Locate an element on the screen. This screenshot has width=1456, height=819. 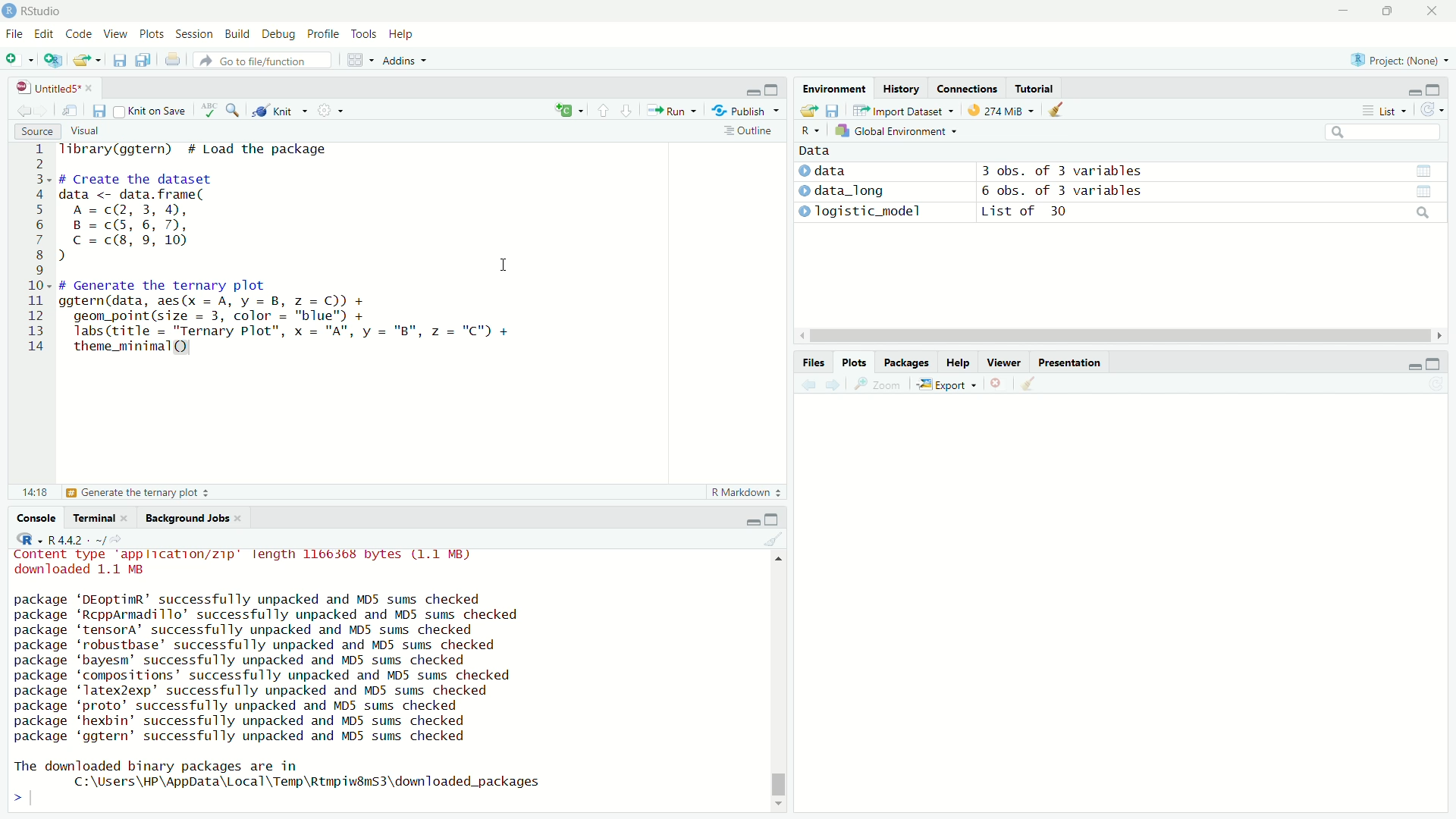
scroll bar is located at coordinates (783, 679).